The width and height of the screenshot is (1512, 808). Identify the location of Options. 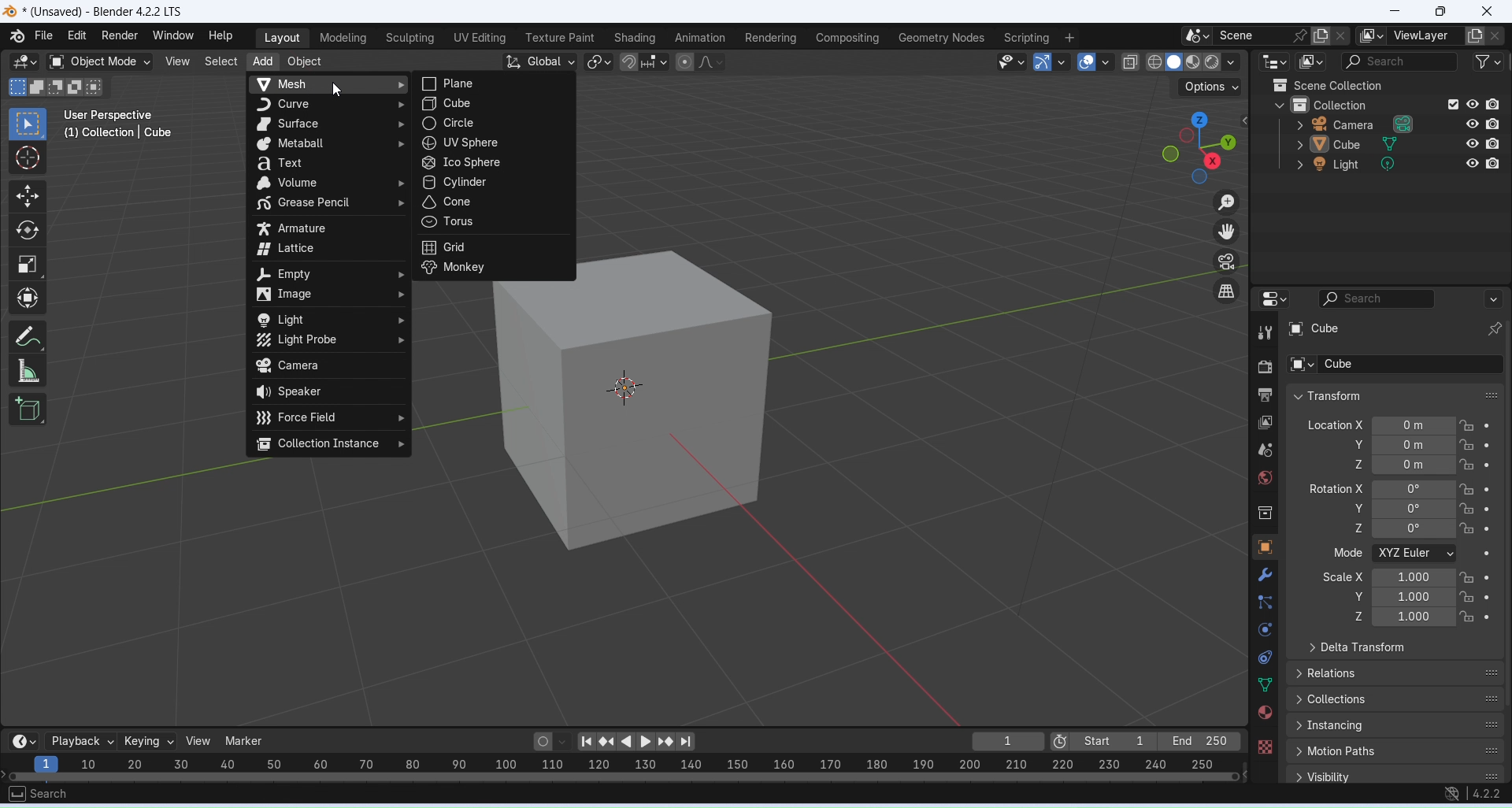
(1207, 86).